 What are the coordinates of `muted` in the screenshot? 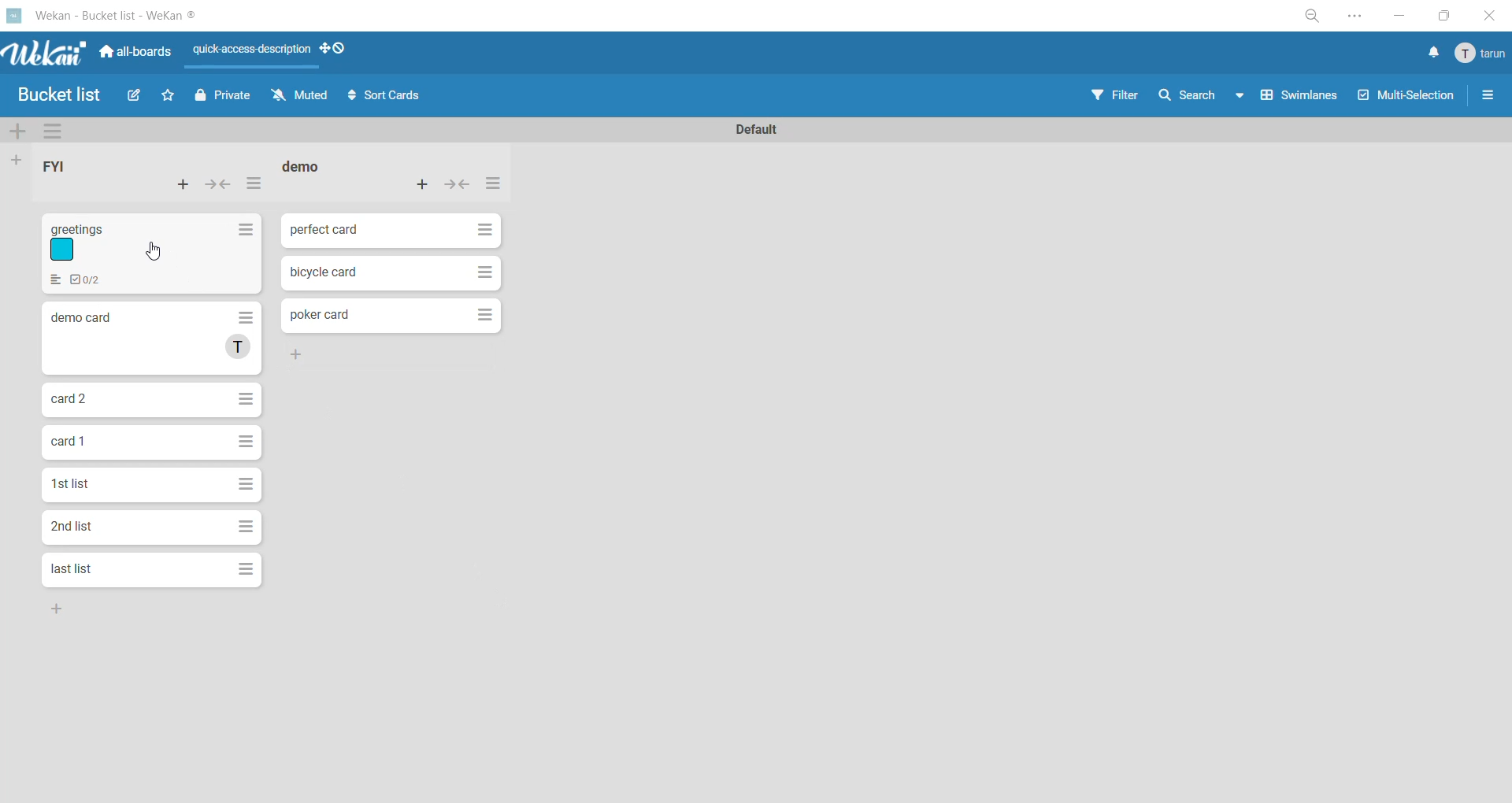 It's located at (300, 94).